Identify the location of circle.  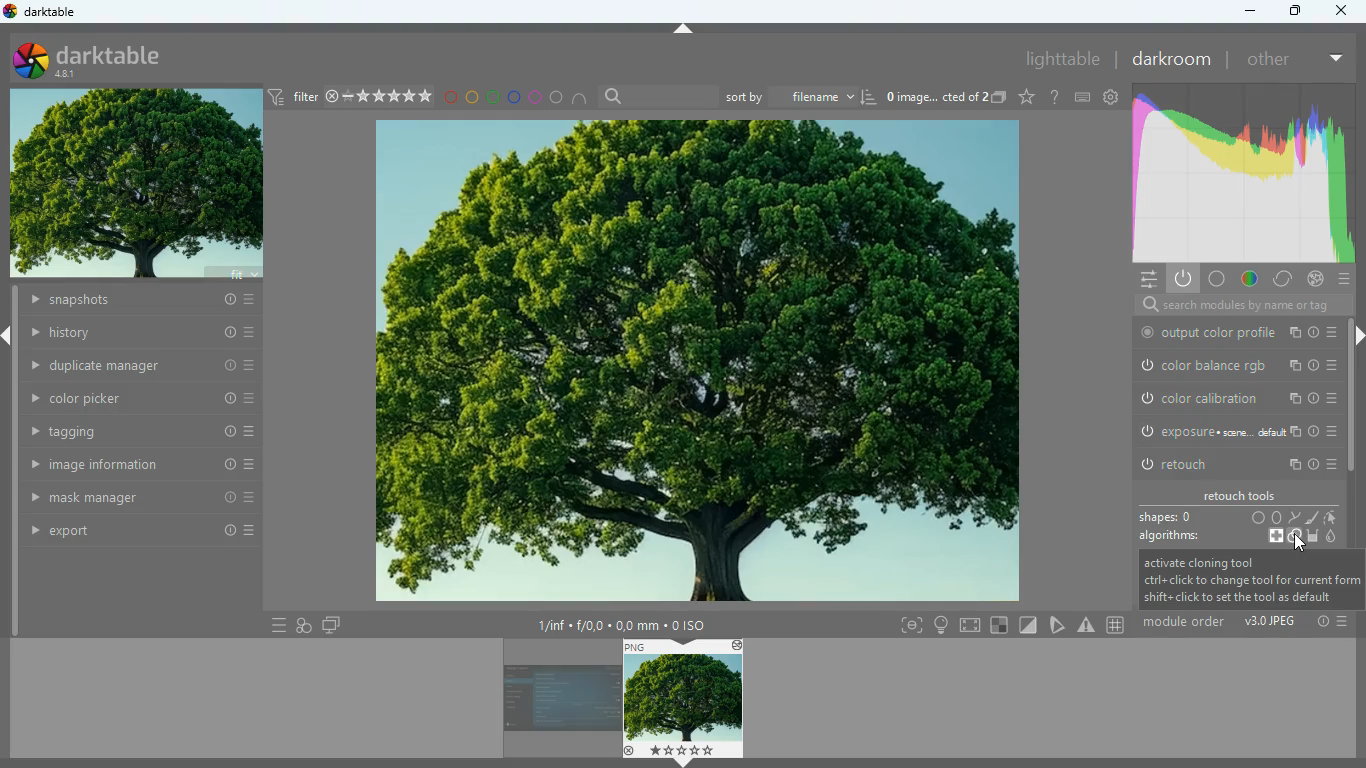
(555, 96).